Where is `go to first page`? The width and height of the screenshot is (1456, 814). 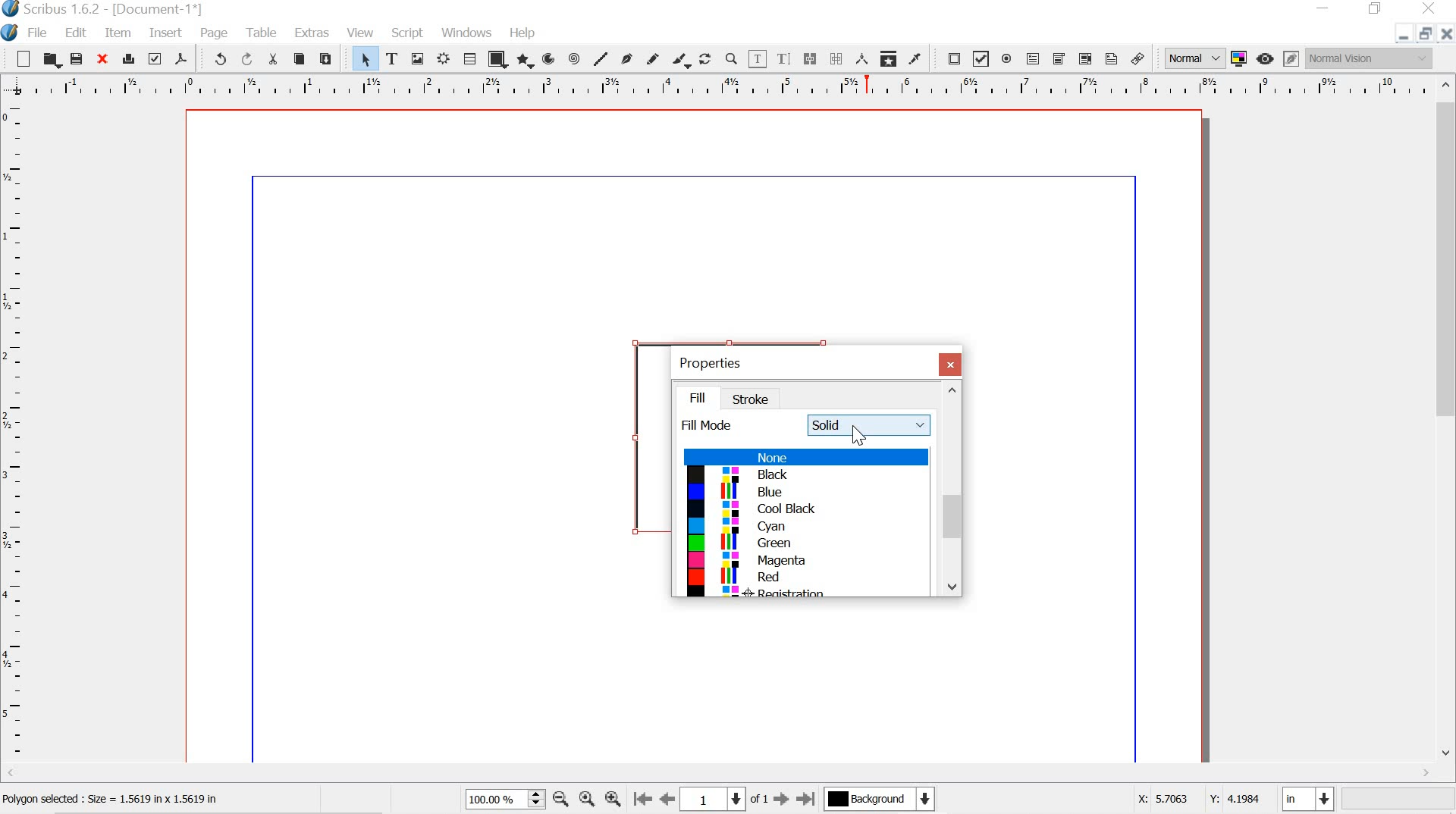
go to first page is located at coordinates (644, 801).